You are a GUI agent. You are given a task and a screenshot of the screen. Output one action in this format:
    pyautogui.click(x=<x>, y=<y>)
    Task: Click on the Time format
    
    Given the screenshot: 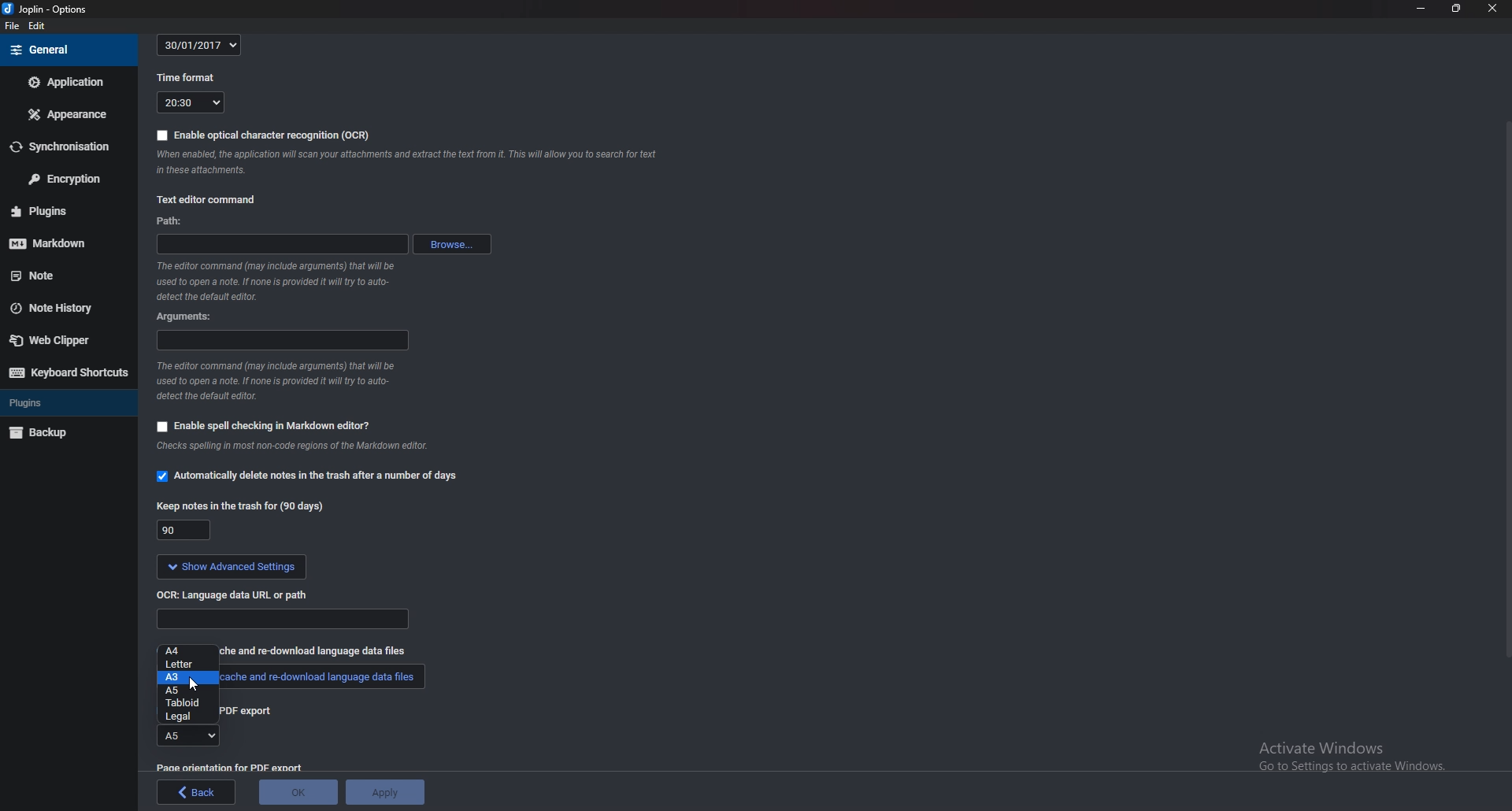 What is the action you would take?
    pyautogui.click(x=190, y=104)
    